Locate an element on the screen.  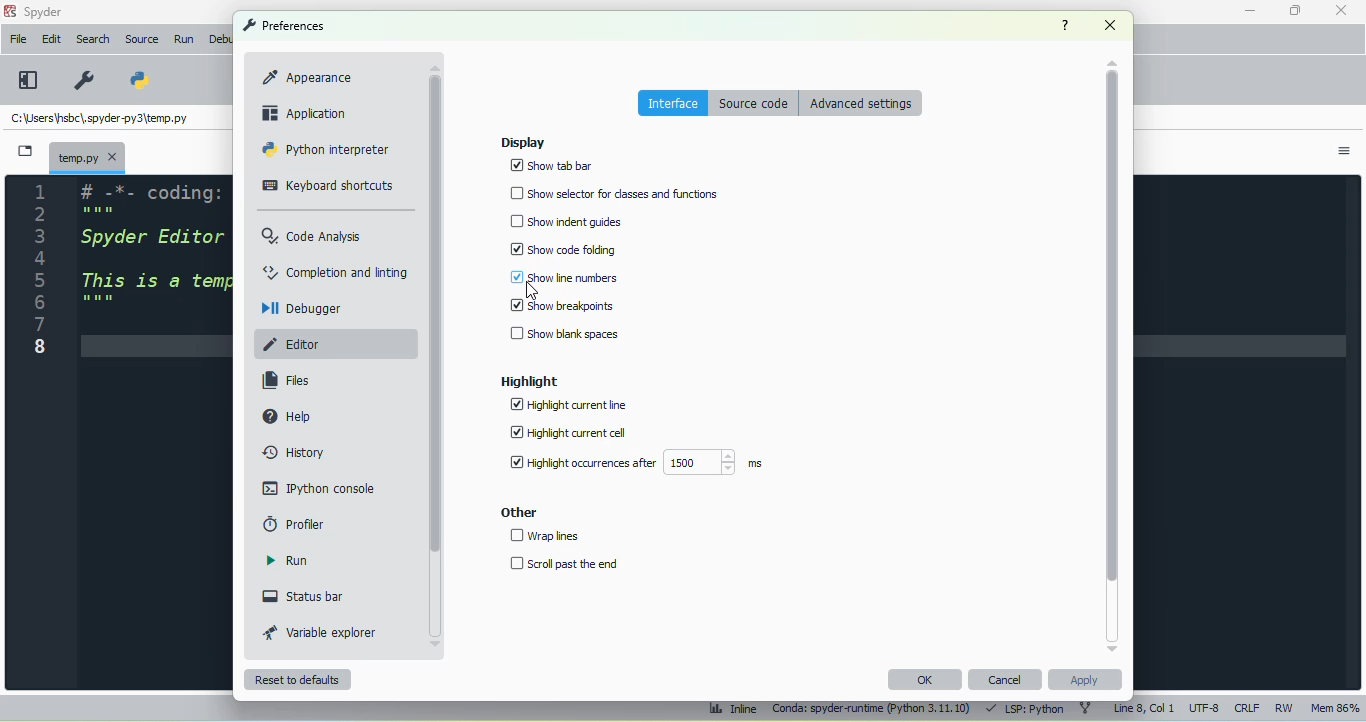
help is located at coordinates (289, 415).